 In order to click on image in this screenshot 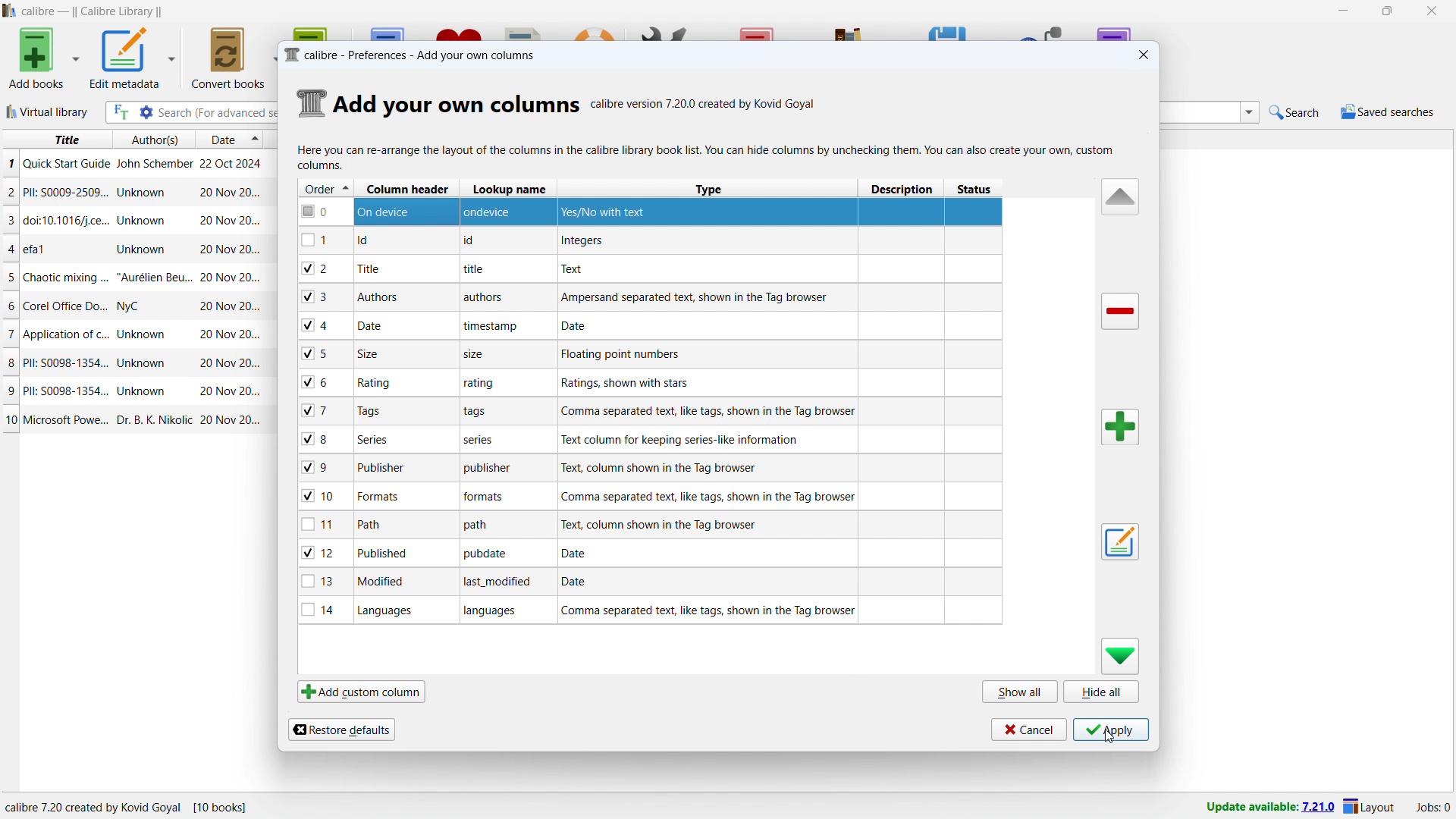, I will do `click(309, 101)`.